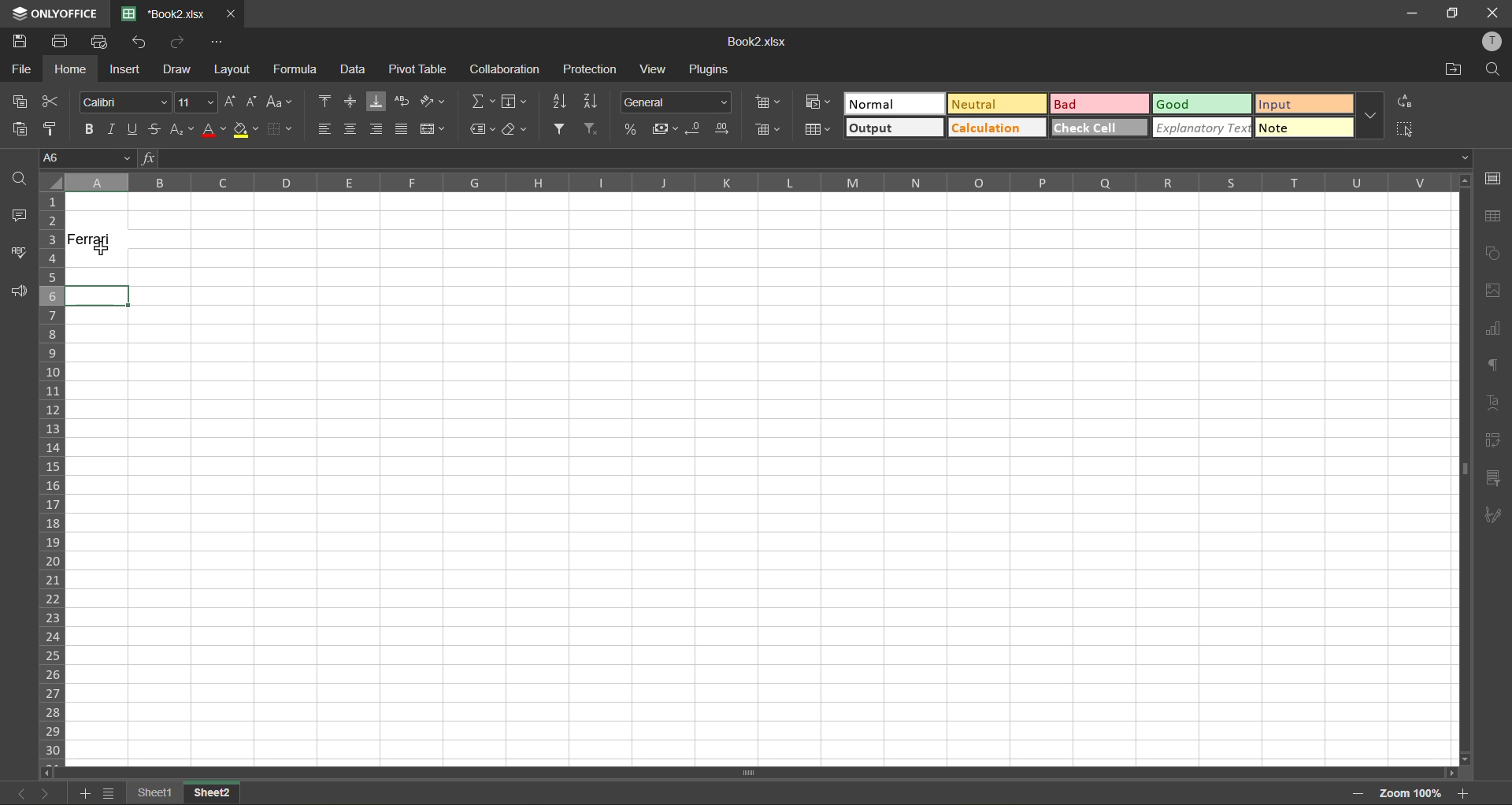 This screenshot has width=1512, height=805. Describe the element at coordinates (720, 128) in the screenshot. I see `increase decimal` at that location.